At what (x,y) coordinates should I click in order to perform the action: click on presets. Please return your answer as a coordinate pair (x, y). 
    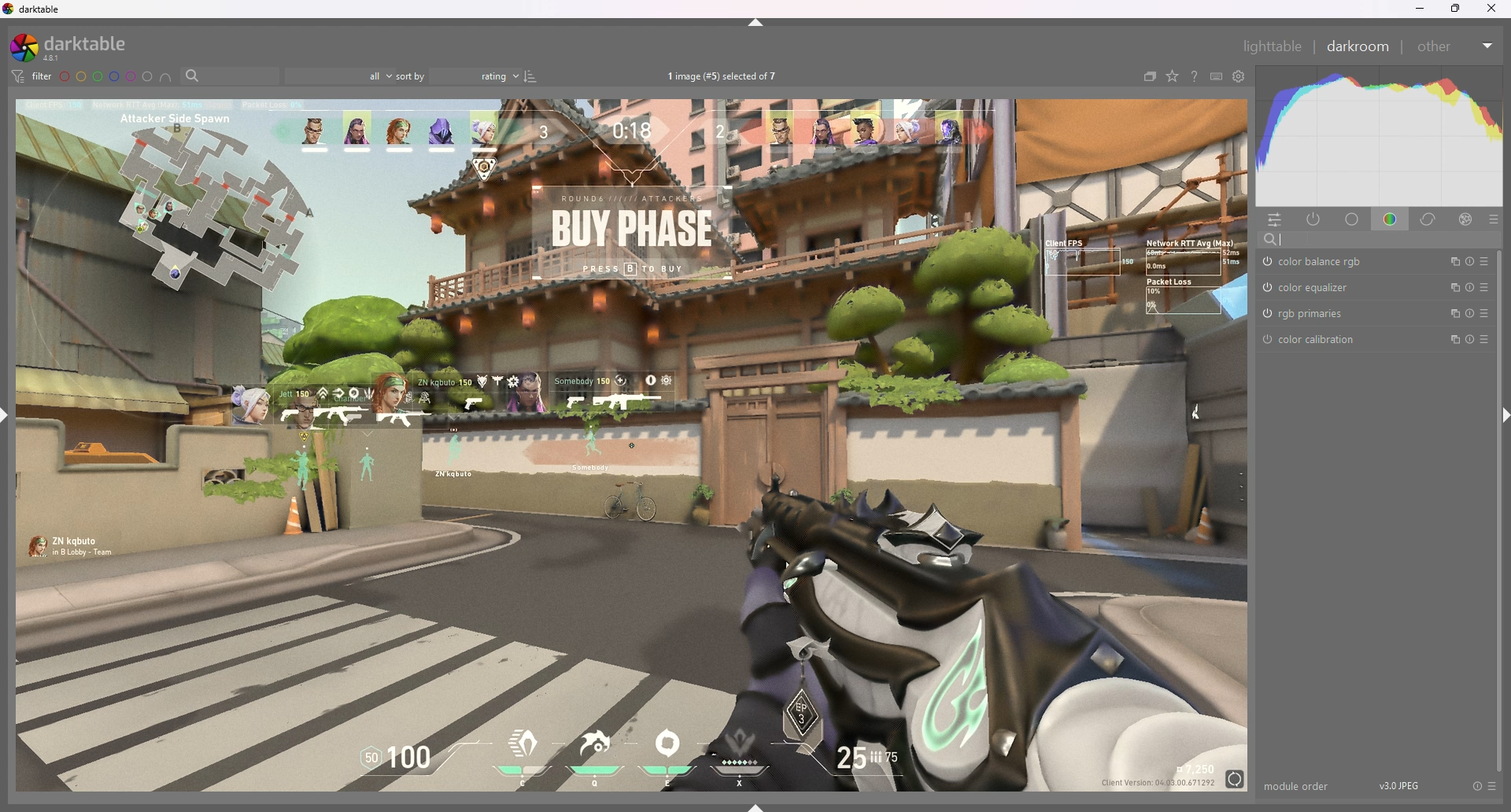
    Looking at the image, I should click on (1494, 220).